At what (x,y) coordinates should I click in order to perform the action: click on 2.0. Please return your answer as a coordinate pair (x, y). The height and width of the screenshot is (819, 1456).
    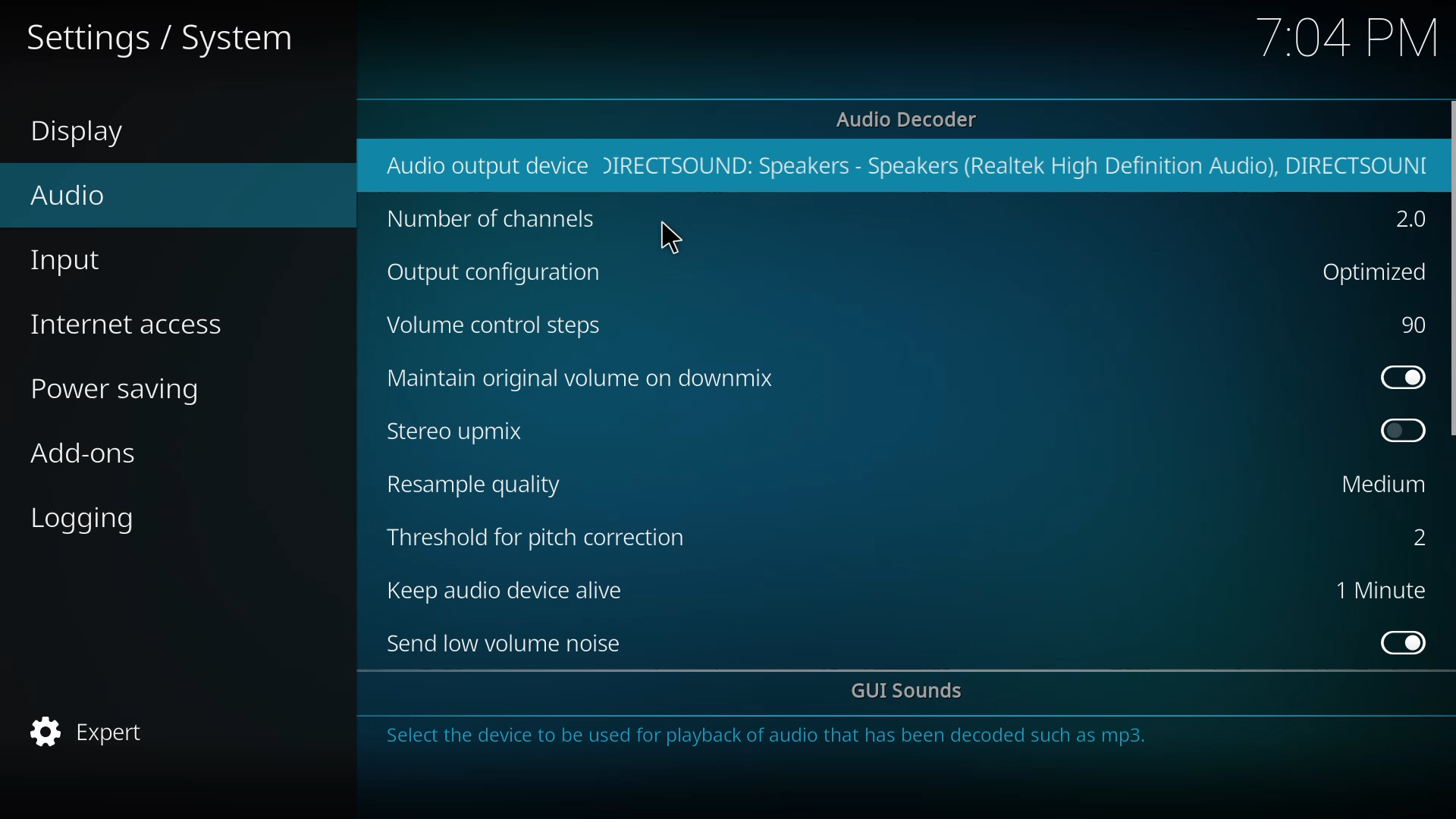
    Looking at the image, I should click on (1408, 220).